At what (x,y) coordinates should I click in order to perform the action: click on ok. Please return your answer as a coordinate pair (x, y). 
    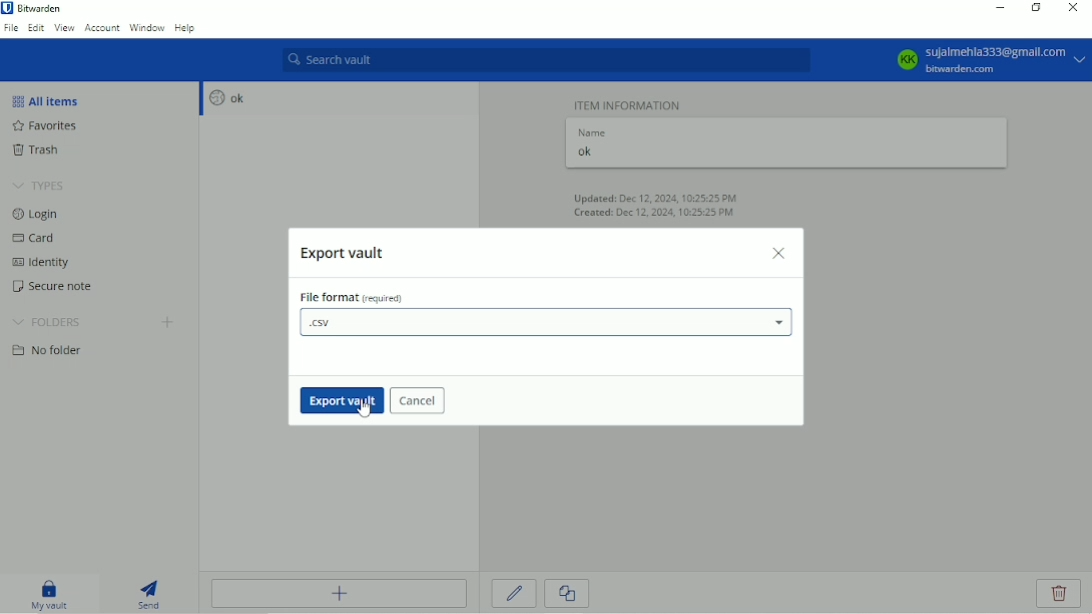
    Looking at the image, I should click on (224, 98).